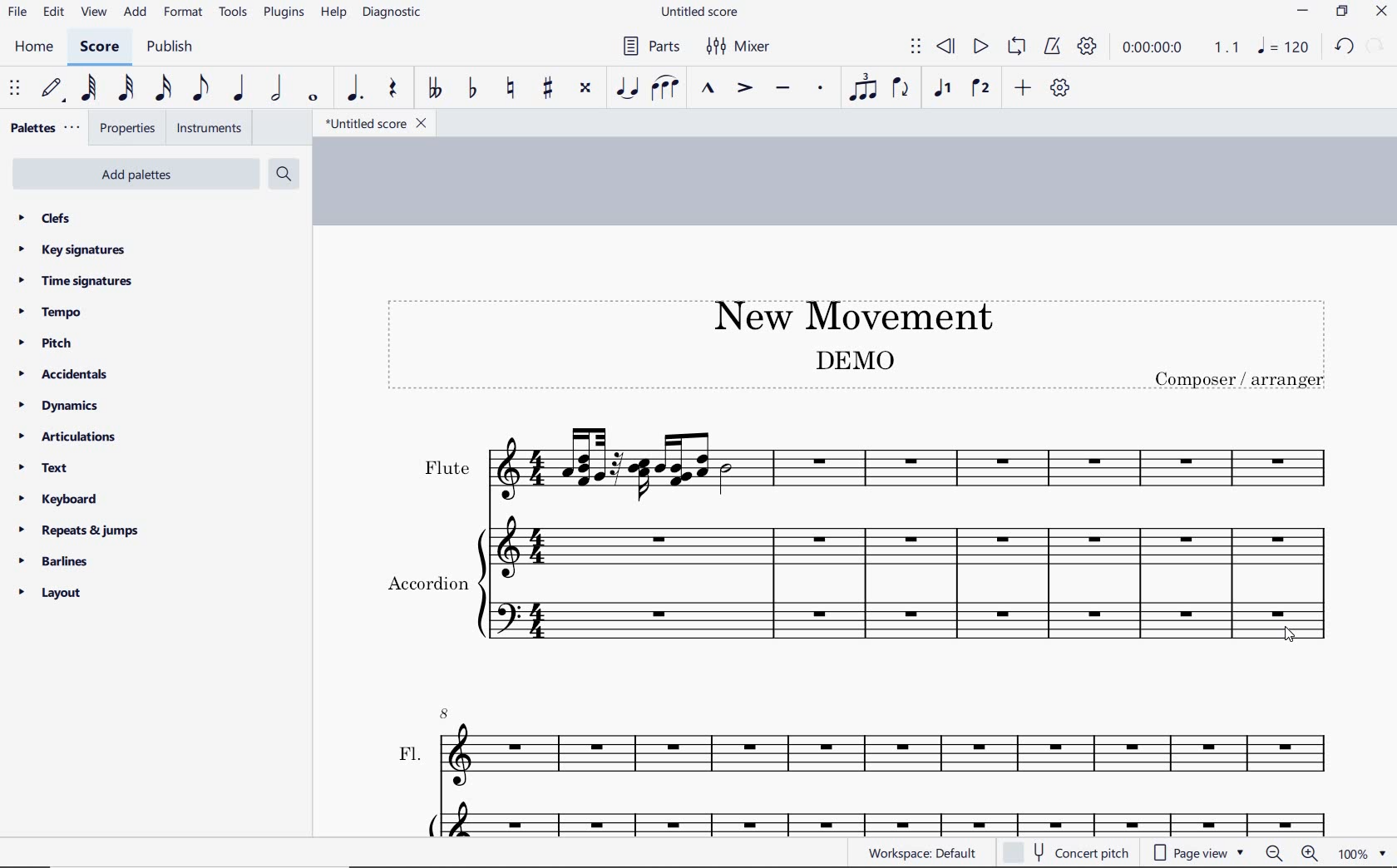 Image resolution: width=1397 pixels, height=868 pixels. What do you see at coordinates (914, 461) in the screenshot?
I see `Instrument: Flute` at bounding box center [914, 461].